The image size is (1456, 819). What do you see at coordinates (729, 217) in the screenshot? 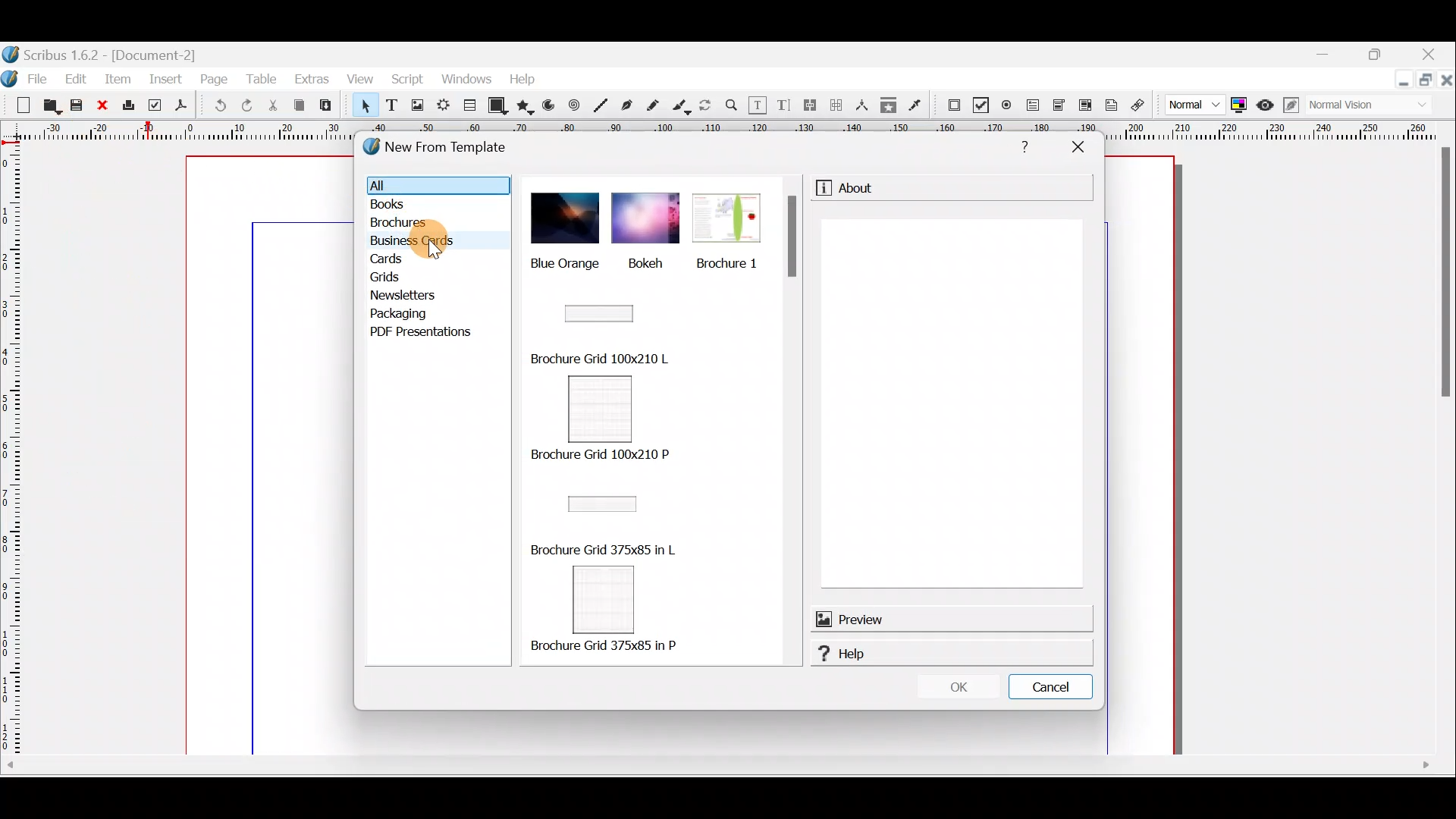
I see `brochure 1` at bounding box center [729, 217].